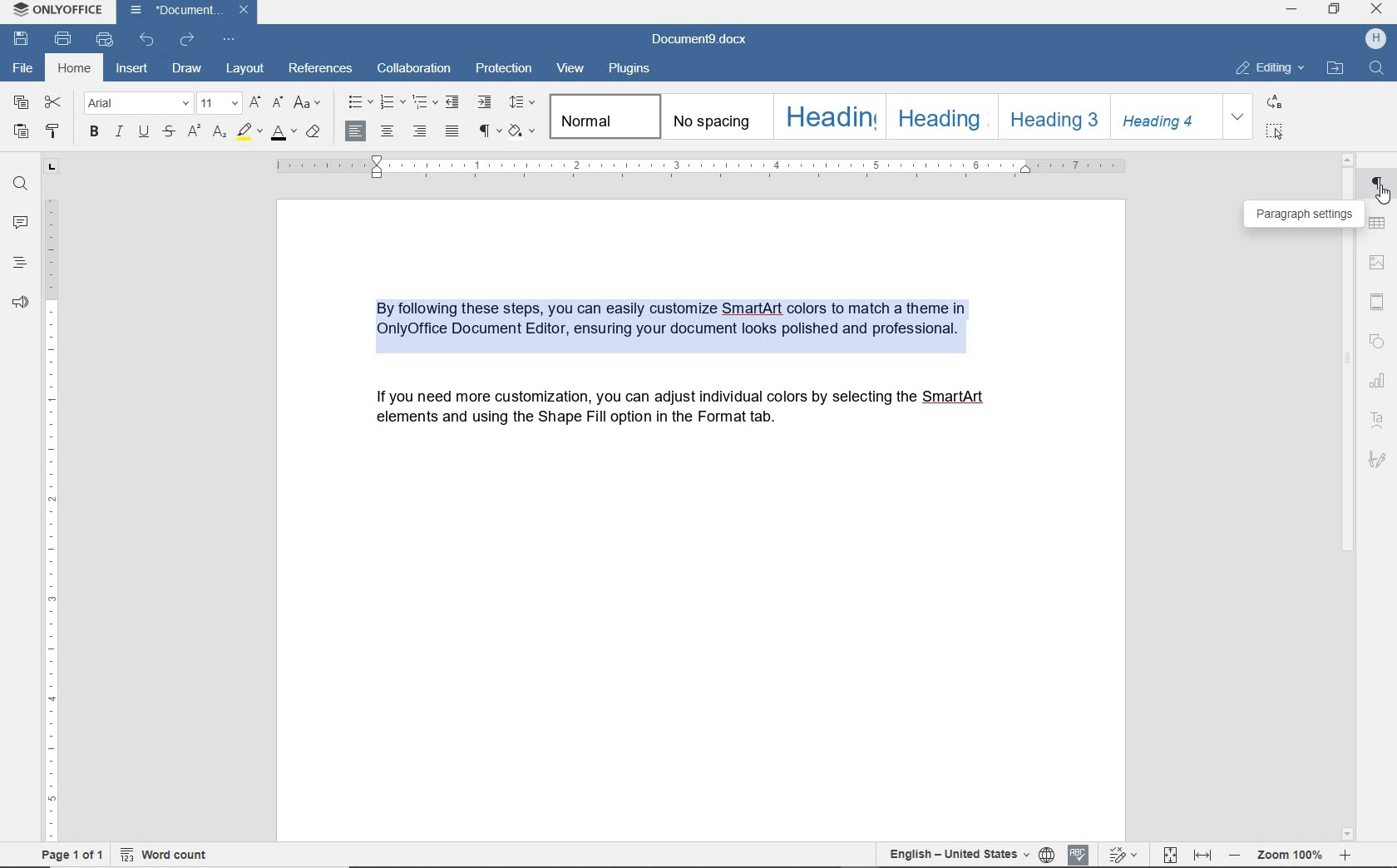 This screenshot has width=1397, height=868. Describe the element at coordinates (52, 131) in the screenshot. I see `copy style` at that location.